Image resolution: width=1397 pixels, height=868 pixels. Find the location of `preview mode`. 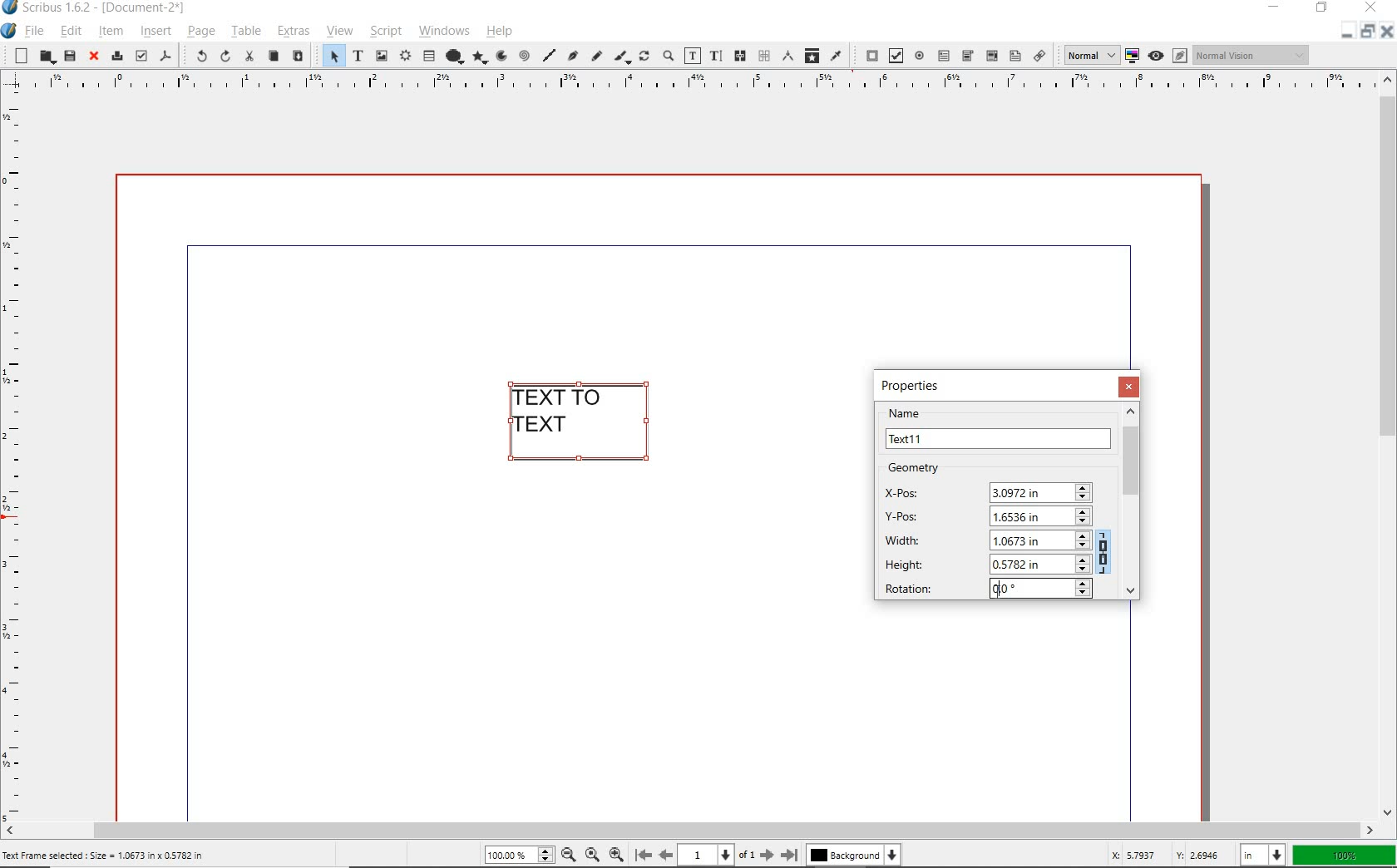

preview mode is located at coordinates (1168, 56).